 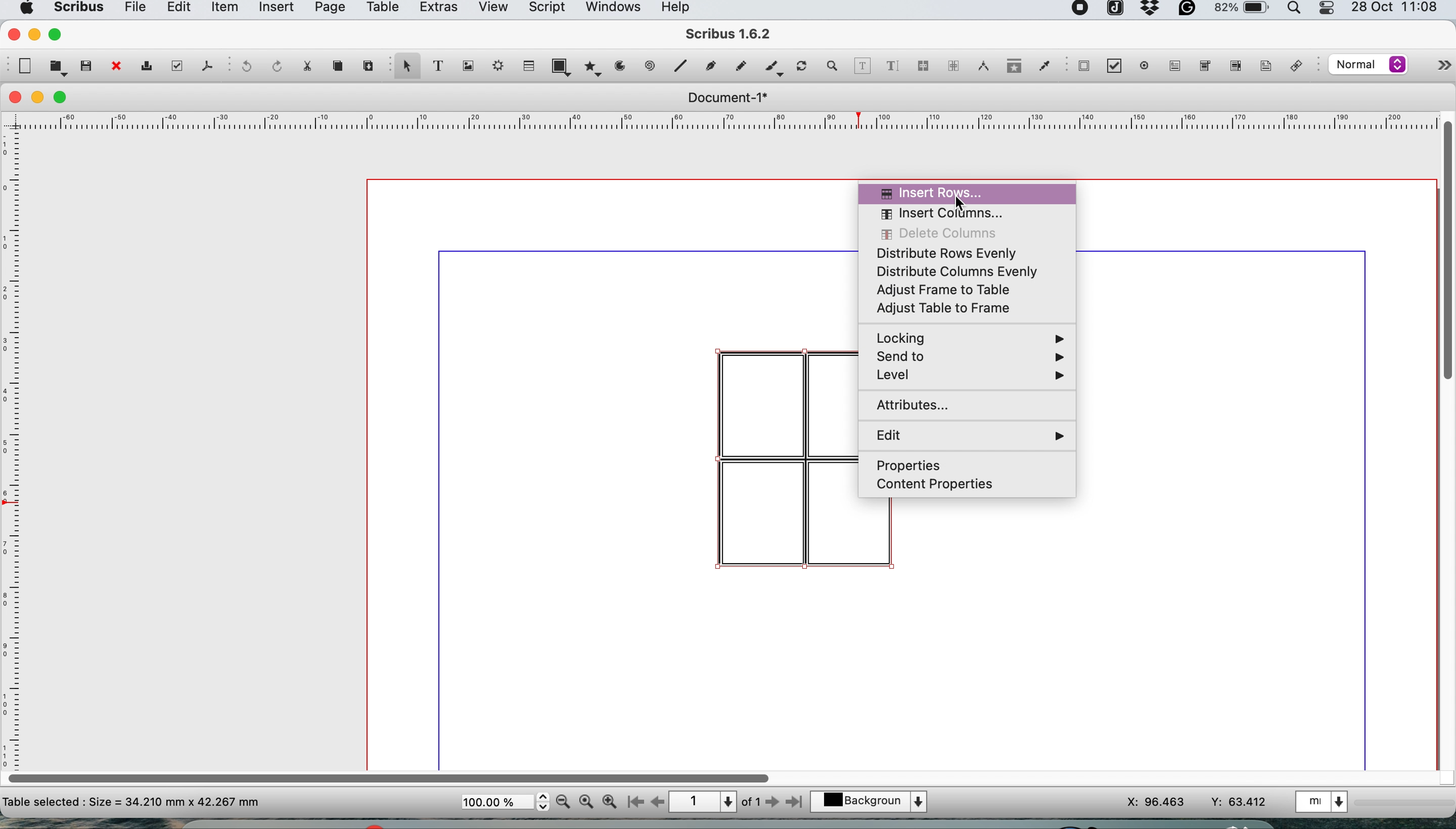 I want to click on help, so click(x=681, y=9).